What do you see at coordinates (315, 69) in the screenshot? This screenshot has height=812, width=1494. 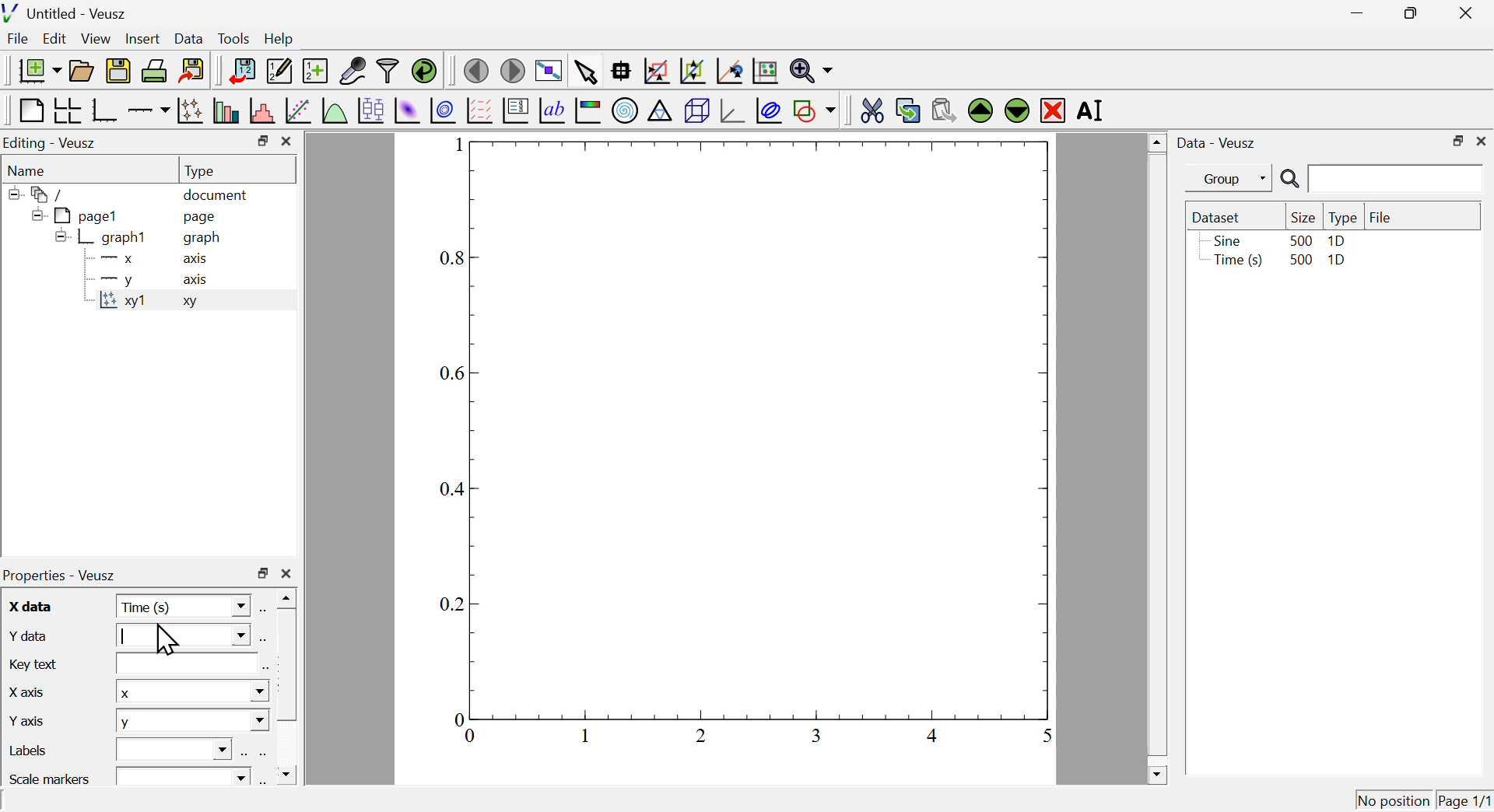 I see `create new data sets using ranges` at bounding box center [315, 69].